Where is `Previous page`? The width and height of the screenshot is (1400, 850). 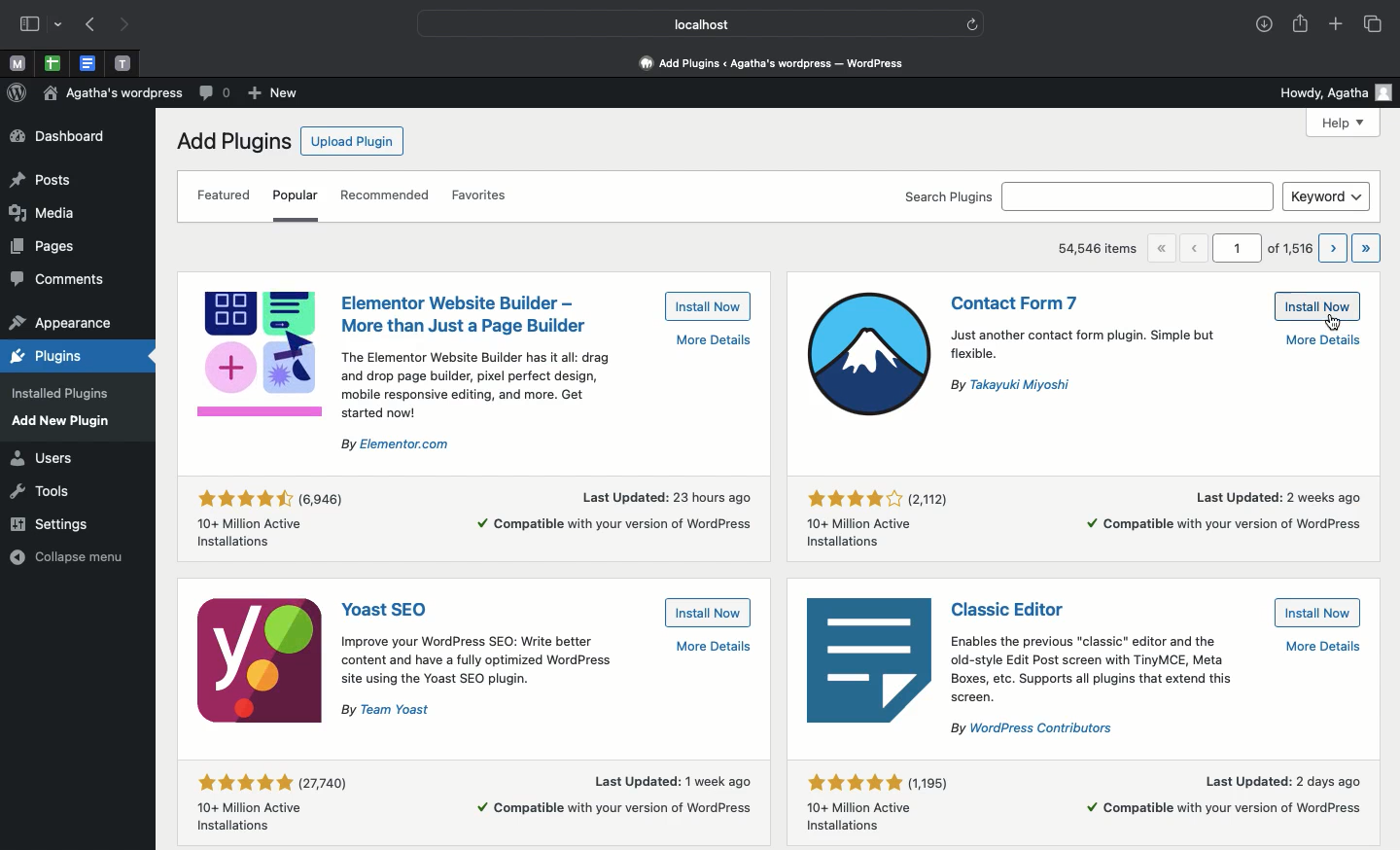
Previous page is located at coordinates (1197, 247).